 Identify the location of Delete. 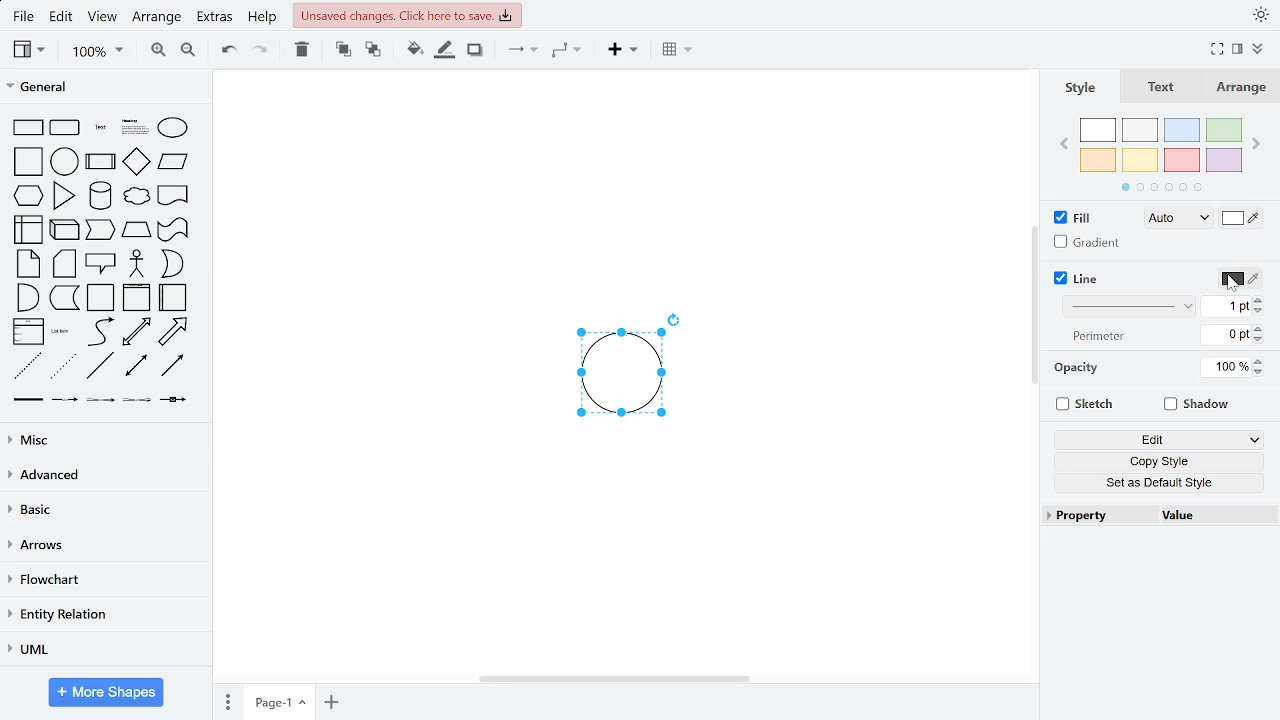
(302, 51).